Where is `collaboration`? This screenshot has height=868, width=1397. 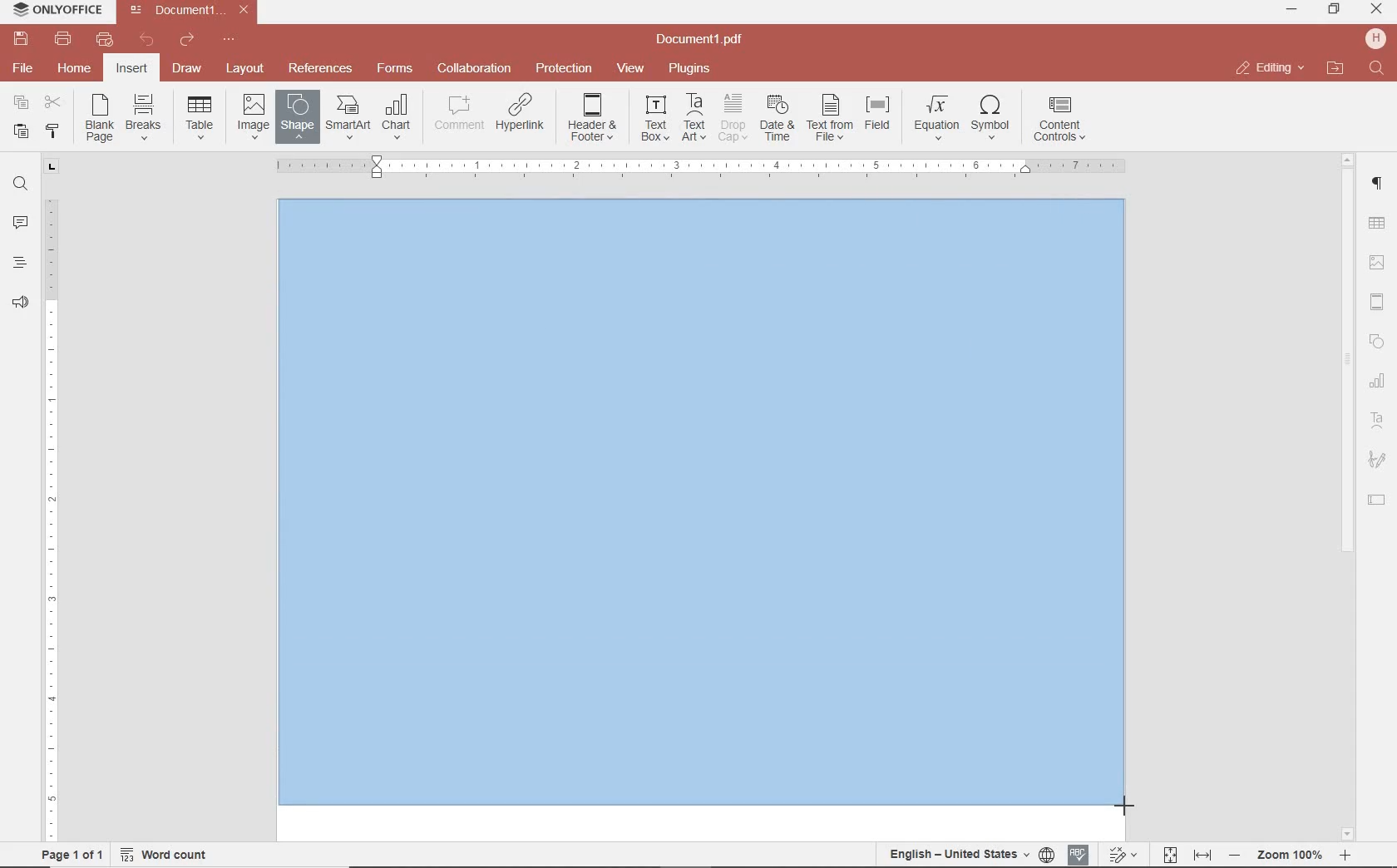
collaboration is located at coordinates (474, 69).